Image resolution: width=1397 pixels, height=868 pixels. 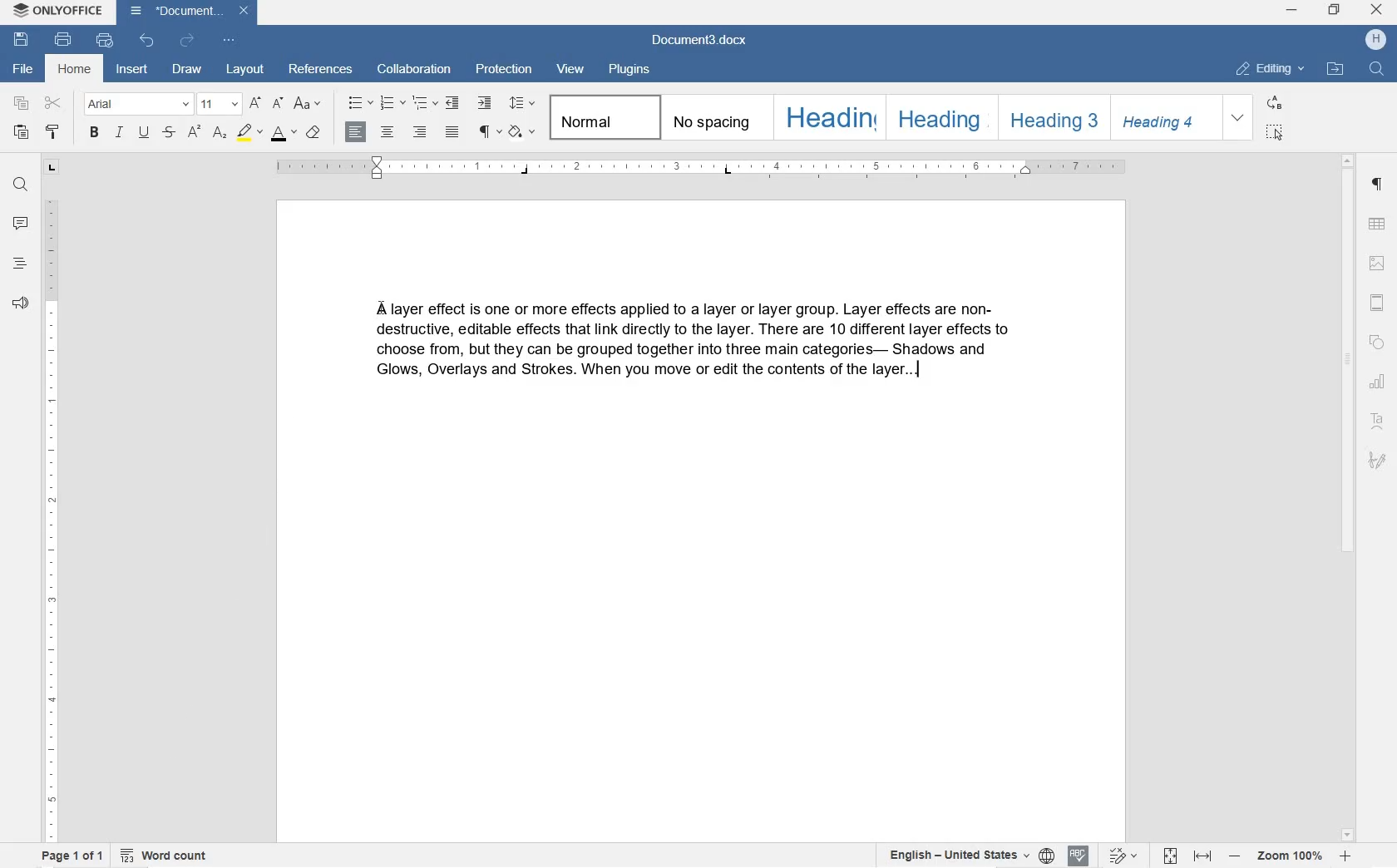 I want to click on SELECT ALL, so click(x=1274, y=131).